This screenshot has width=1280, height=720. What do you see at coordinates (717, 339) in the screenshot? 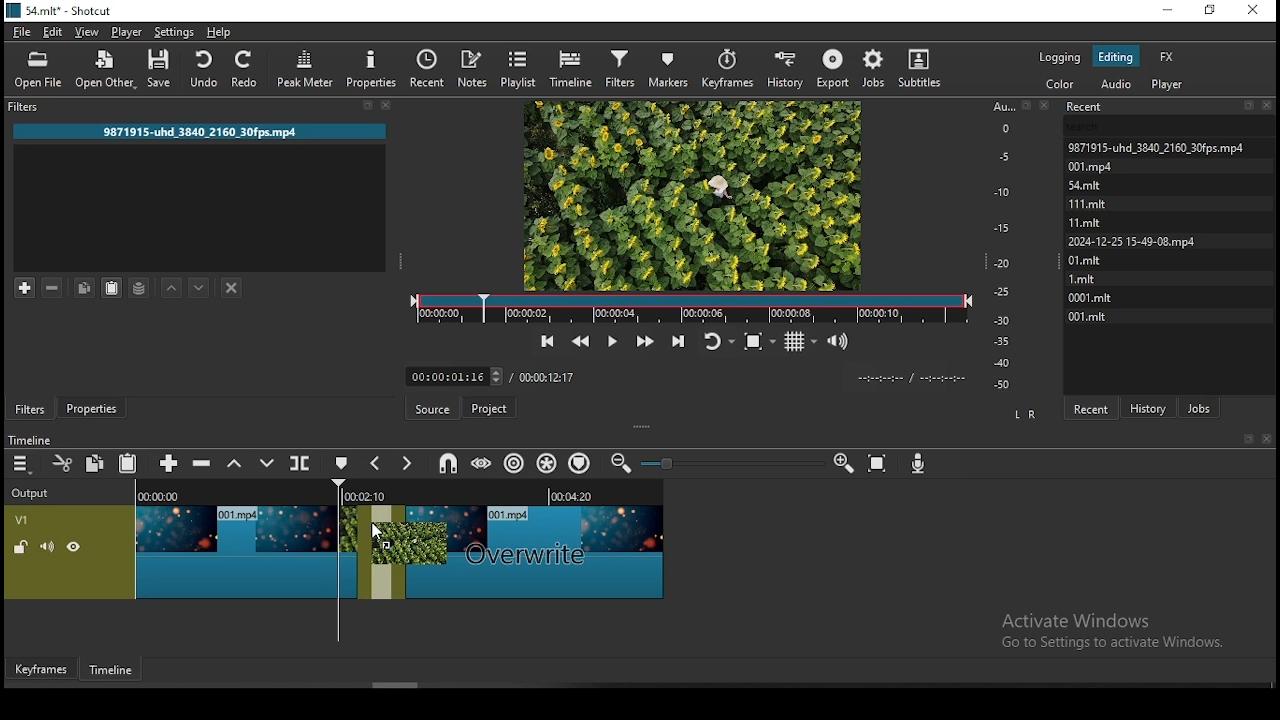
I see `toggle player looping` at bounding box center [717, 339].